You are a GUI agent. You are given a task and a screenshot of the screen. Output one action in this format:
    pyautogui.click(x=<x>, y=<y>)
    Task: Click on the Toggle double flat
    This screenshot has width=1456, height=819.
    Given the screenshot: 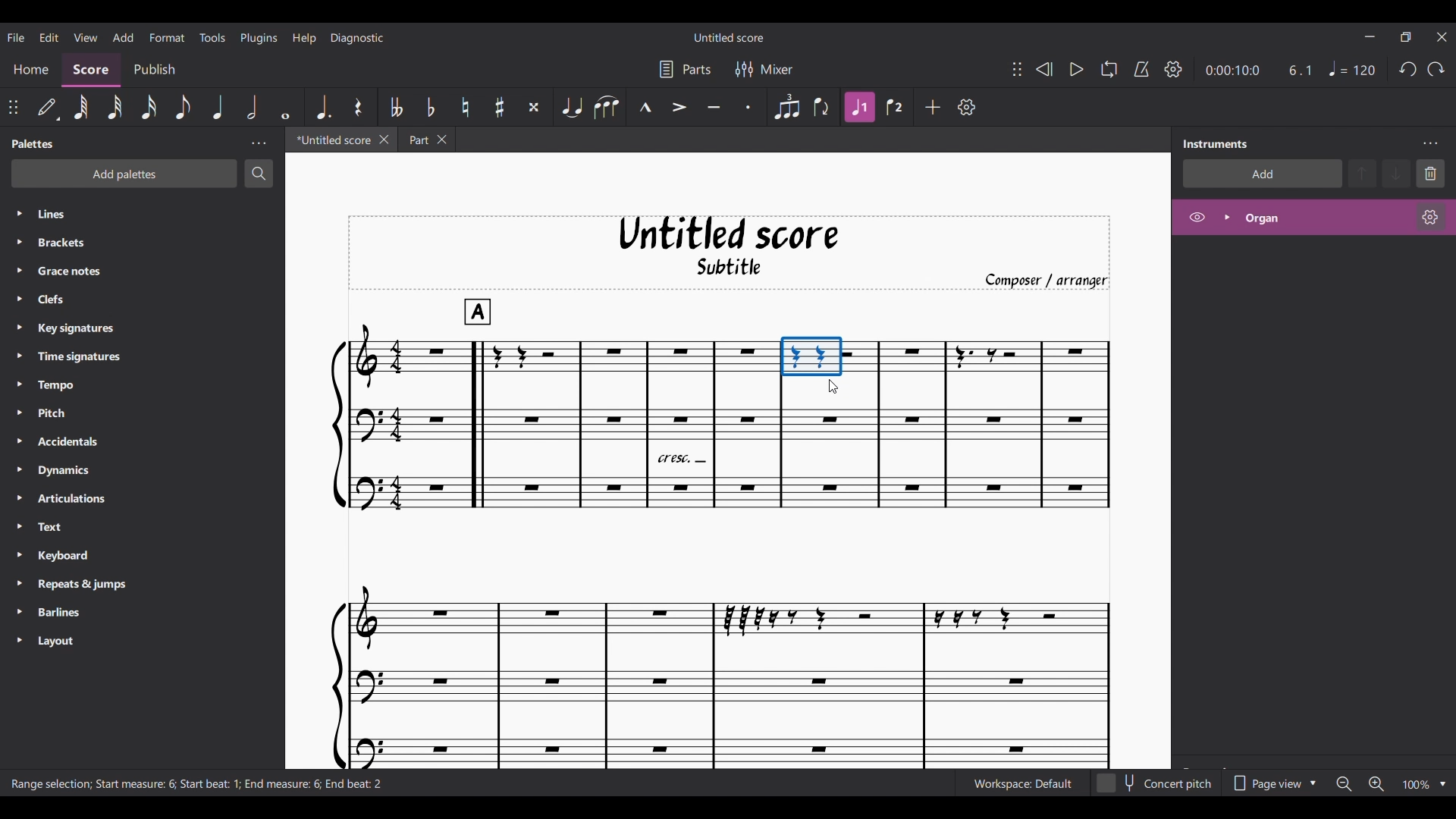 What is the action you would take?
    pyautogui.click(x=397, y=107)
    